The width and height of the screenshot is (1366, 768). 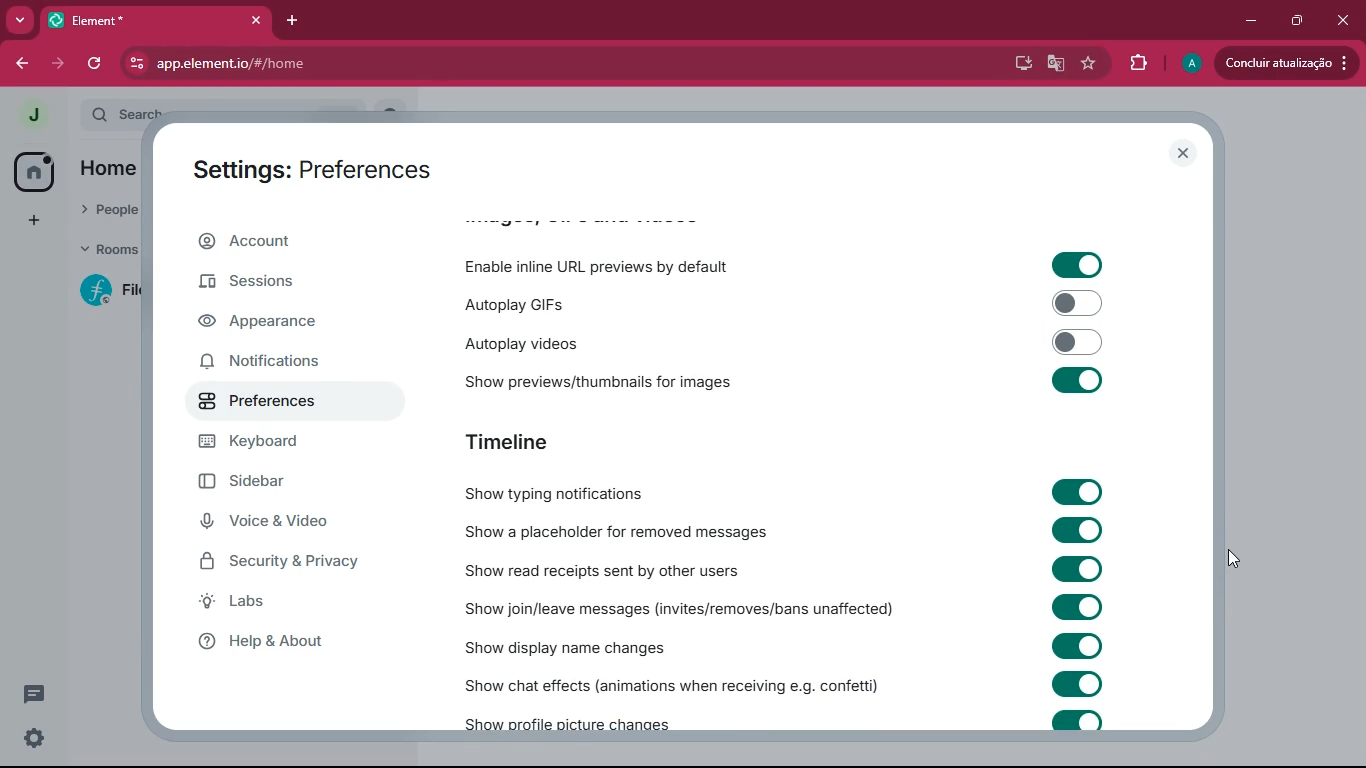 I want to click on toggle on/off, so click(x=1077, y=720).